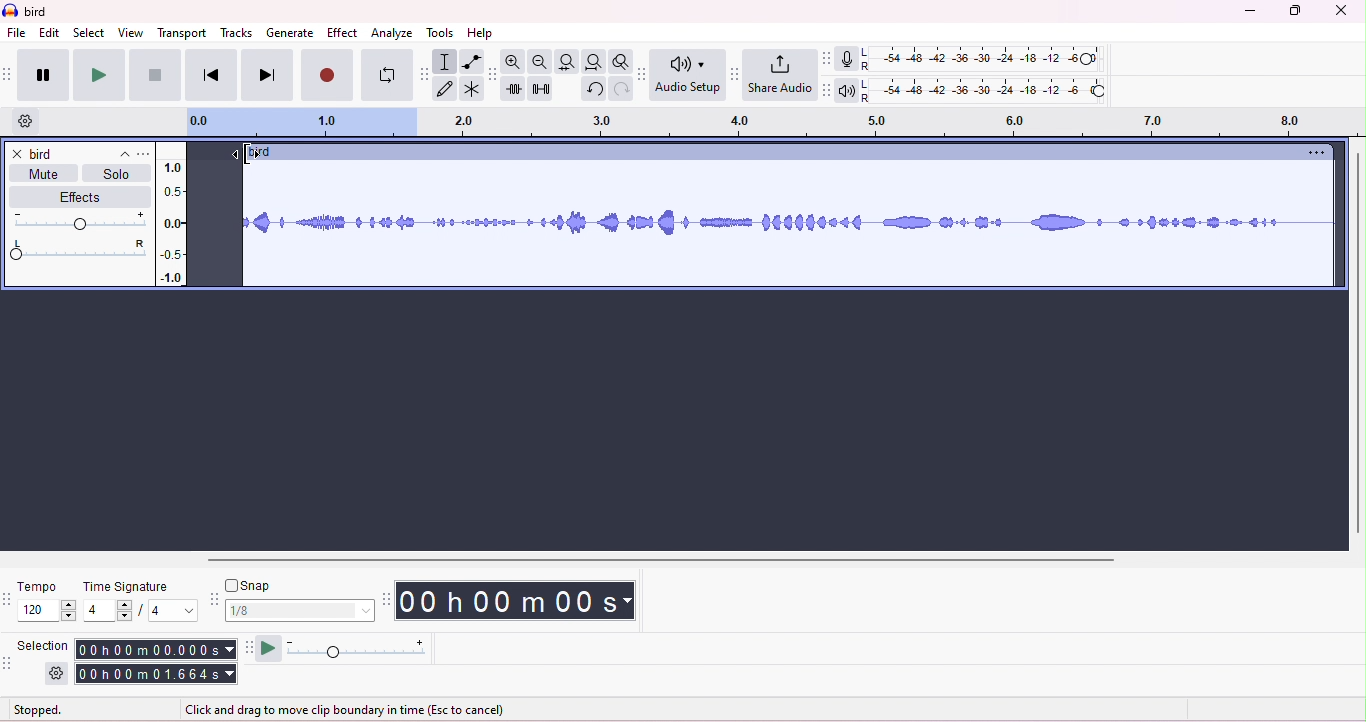  I want to click on play at speed/ play at speed once, so click(268, 648).